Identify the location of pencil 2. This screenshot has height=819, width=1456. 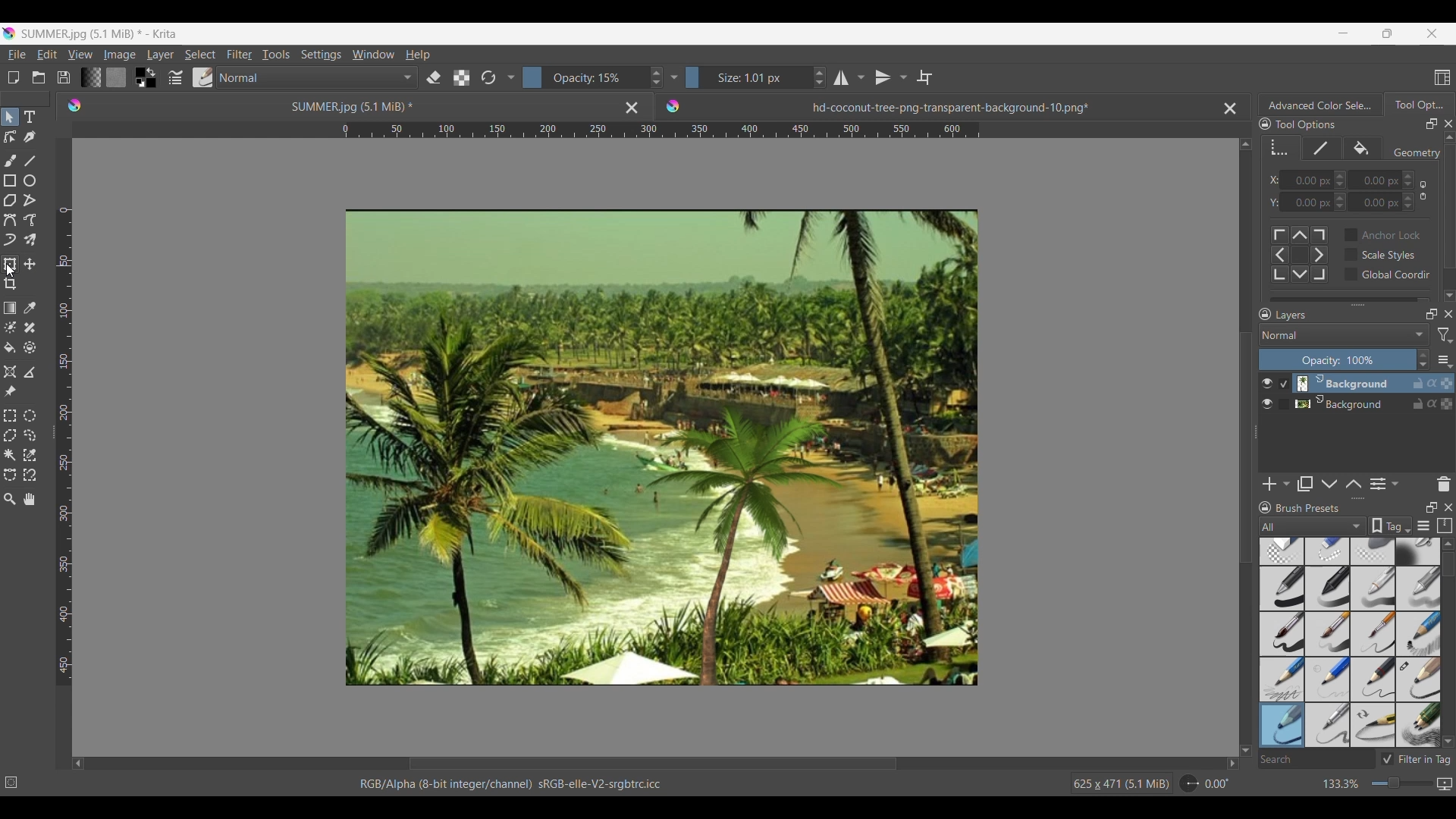
(1374, 679).